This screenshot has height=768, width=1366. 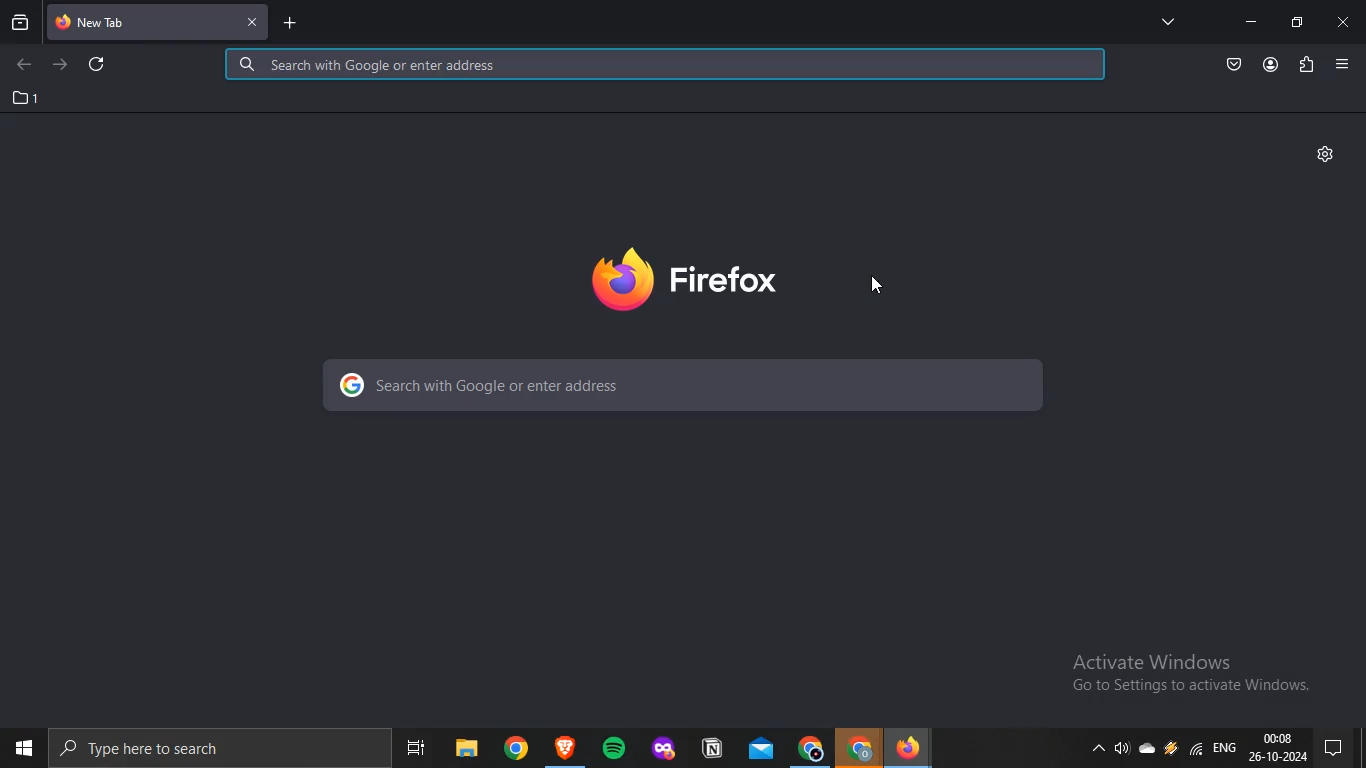 What do you see at coordinates (661, 744) in the screenshot?
I see `app icon` at bounding box center [661, 744].